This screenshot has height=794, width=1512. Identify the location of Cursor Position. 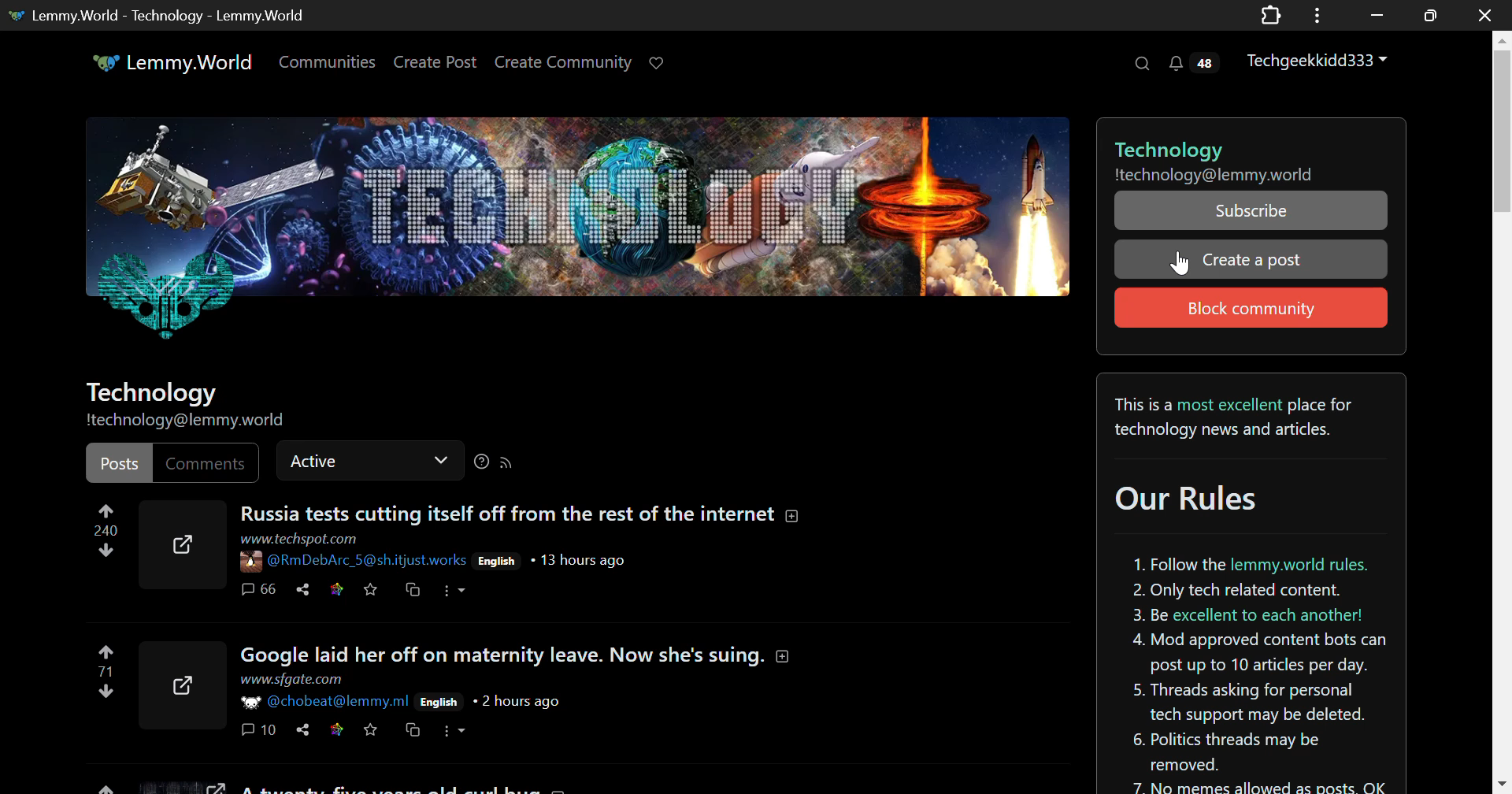
(1181, 262).